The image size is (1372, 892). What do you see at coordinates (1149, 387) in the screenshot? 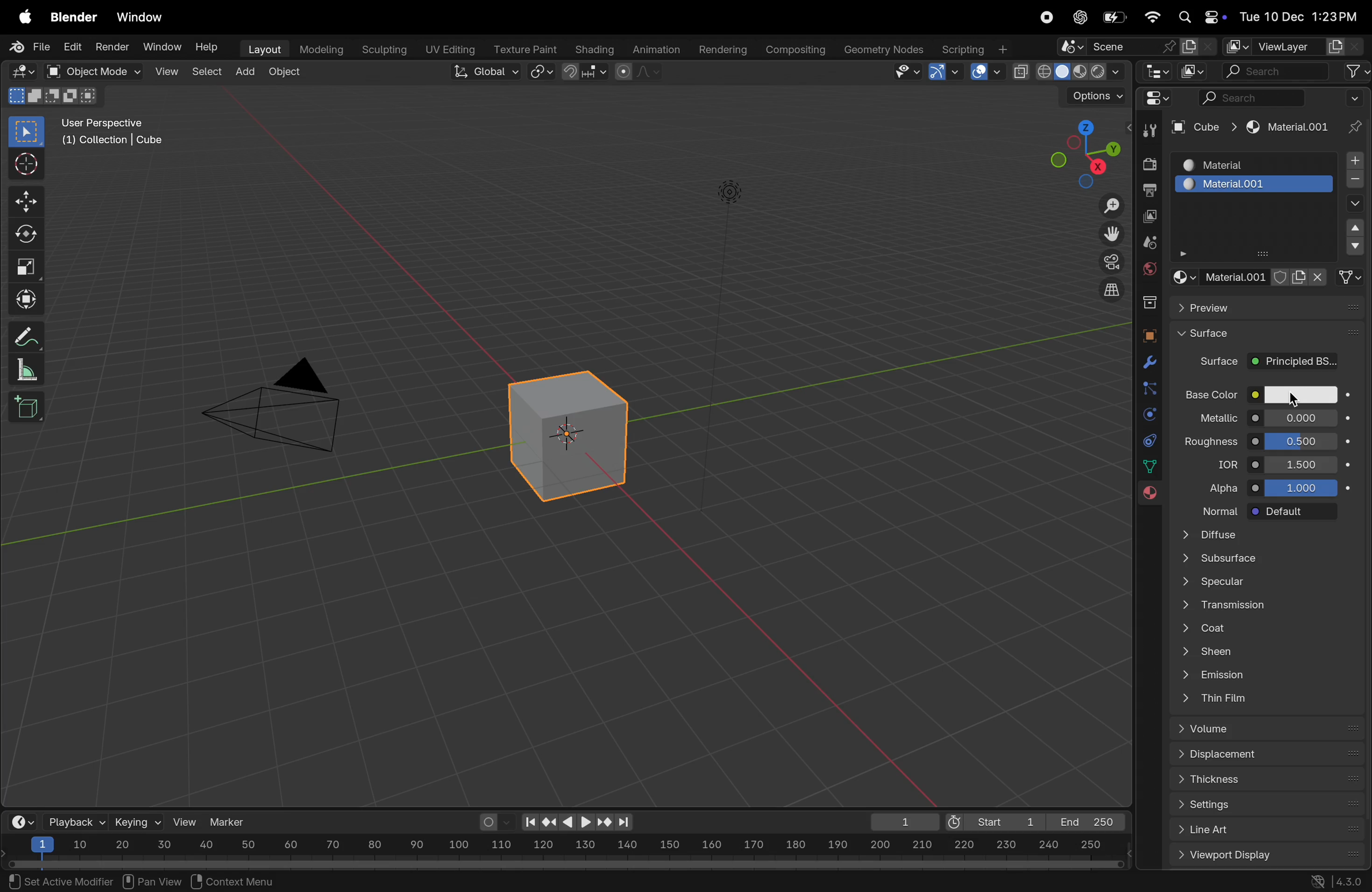
I see `bound` at bounding box center [1149, 387].